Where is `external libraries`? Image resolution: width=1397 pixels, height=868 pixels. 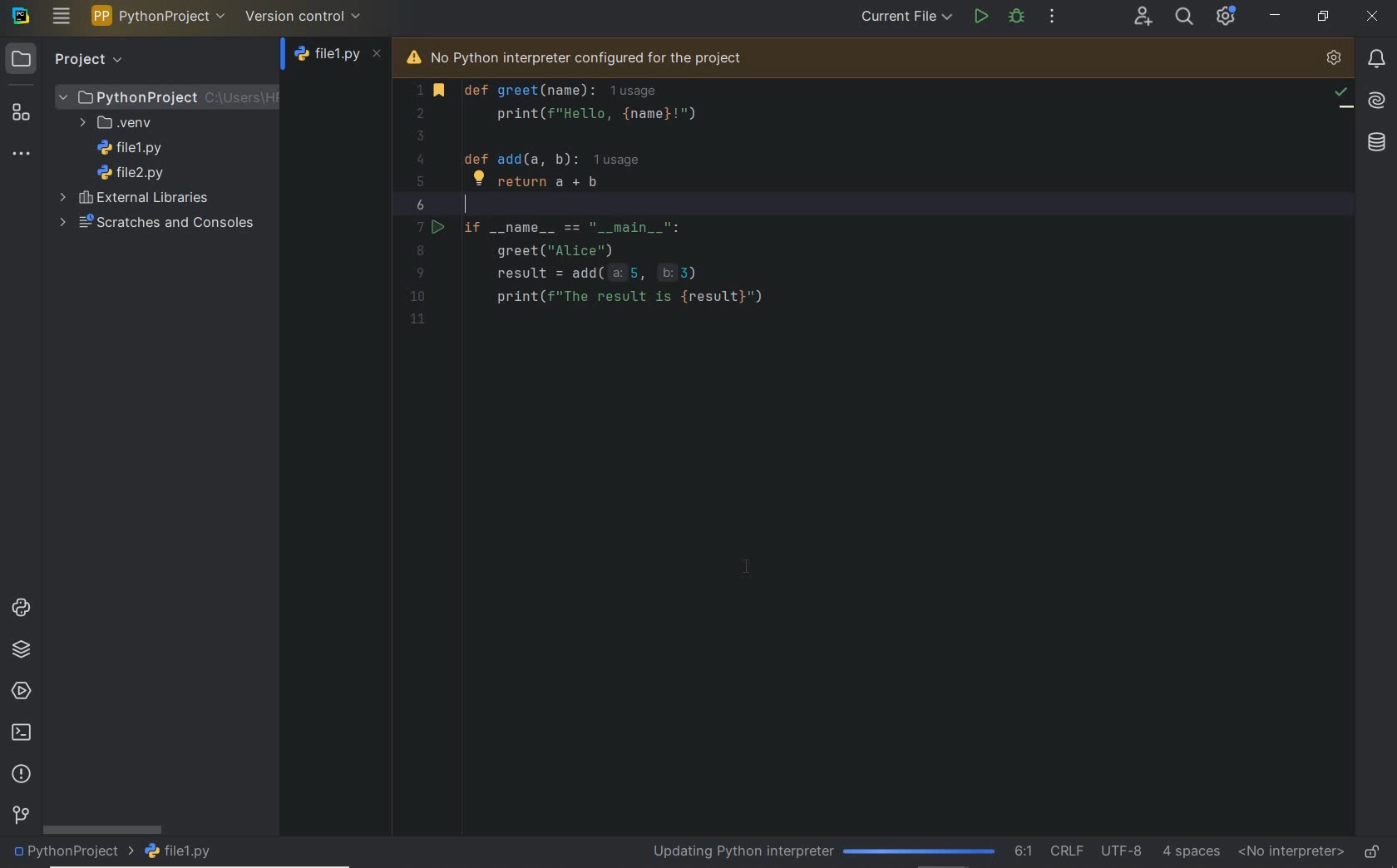
external libraries is located at coordinates (138, 172).